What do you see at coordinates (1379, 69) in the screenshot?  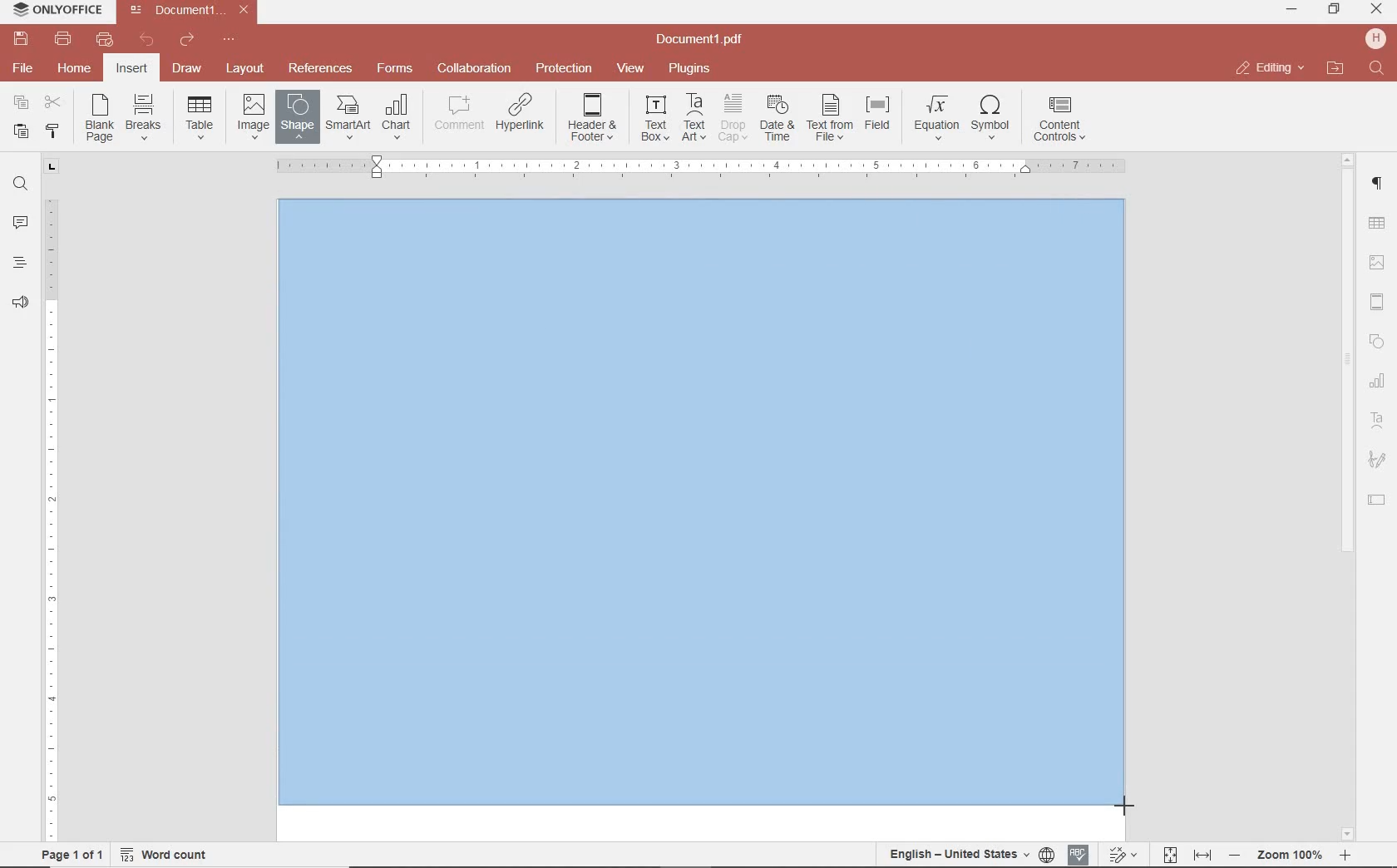 I see `find` at bounding box center [1379, 69].